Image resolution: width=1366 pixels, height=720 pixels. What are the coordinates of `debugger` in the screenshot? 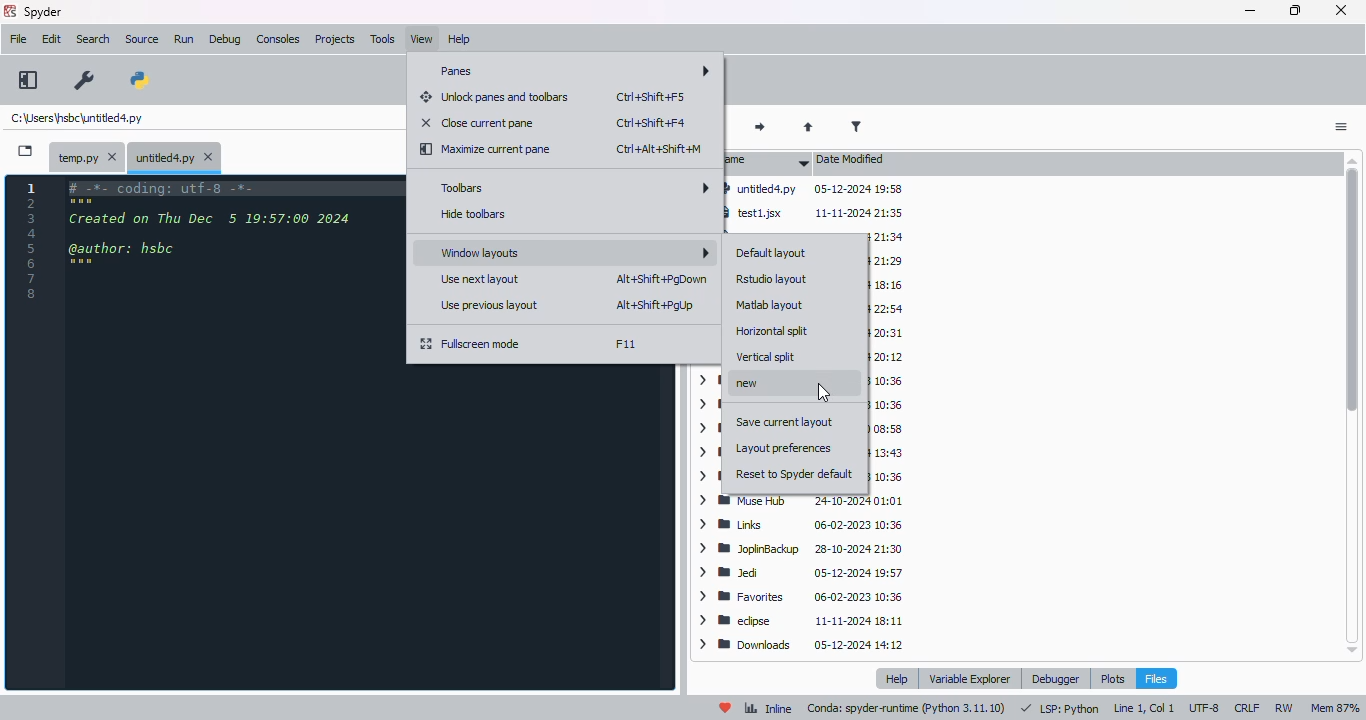 It's located at (1055, 679).